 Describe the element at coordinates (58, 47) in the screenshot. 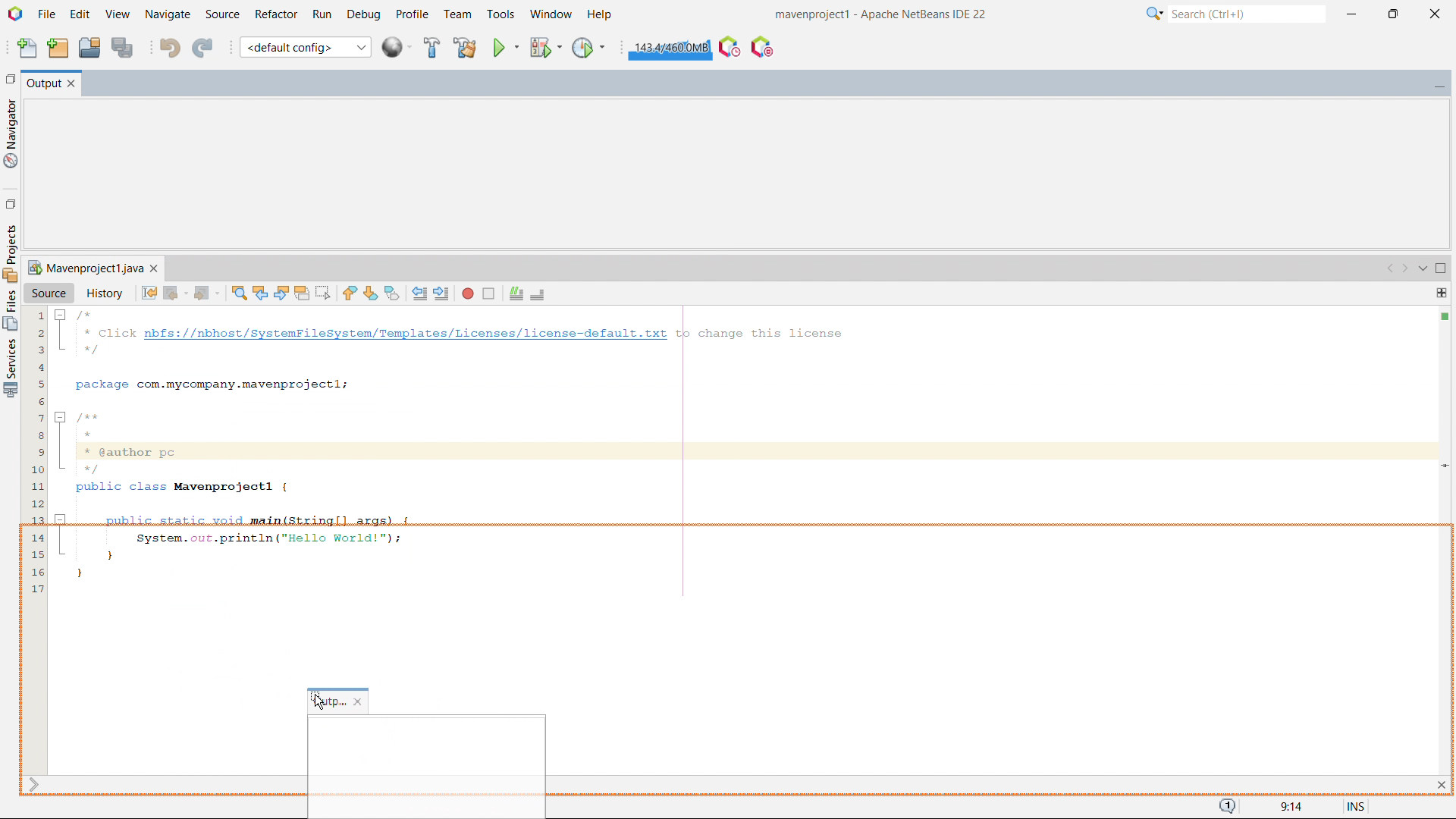

I see `new project` at that location.